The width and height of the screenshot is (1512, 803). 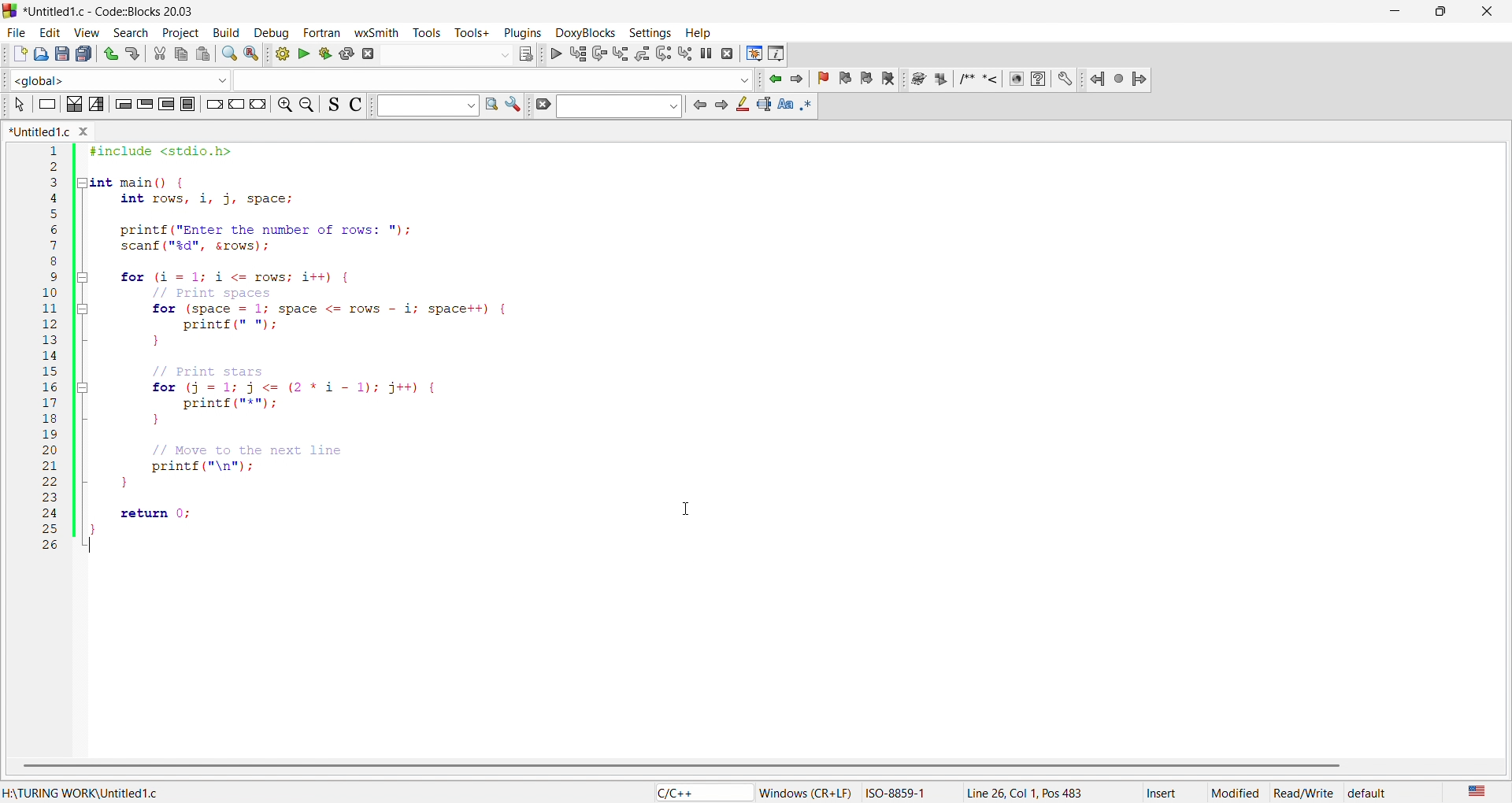 What do you see at coordinates (135, 30) in the screenshot?
I see `search` at bounding box center [135, 30].